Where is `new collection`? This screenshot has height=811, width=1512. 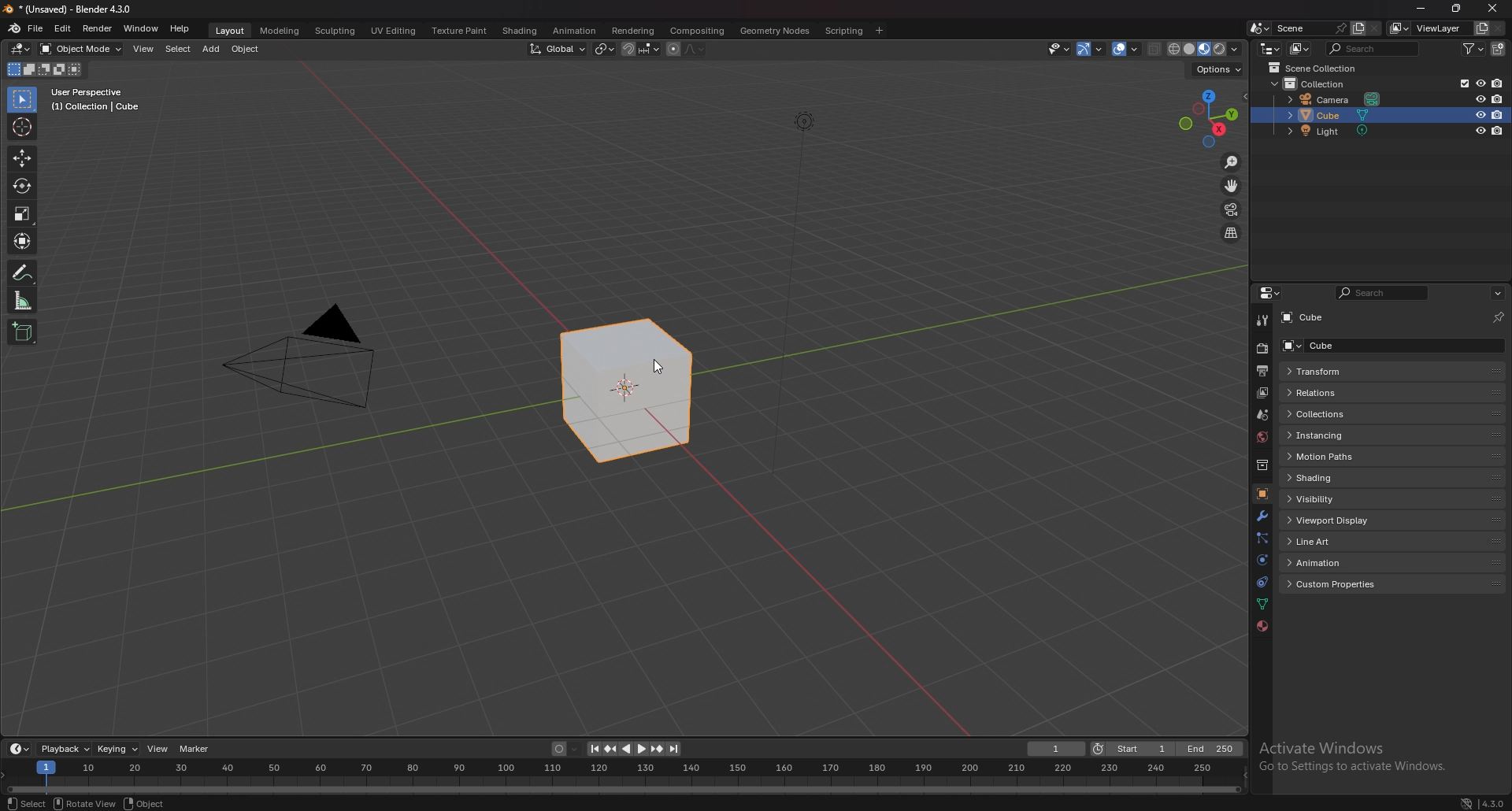
new collection is located at coordinates (1498, 49).